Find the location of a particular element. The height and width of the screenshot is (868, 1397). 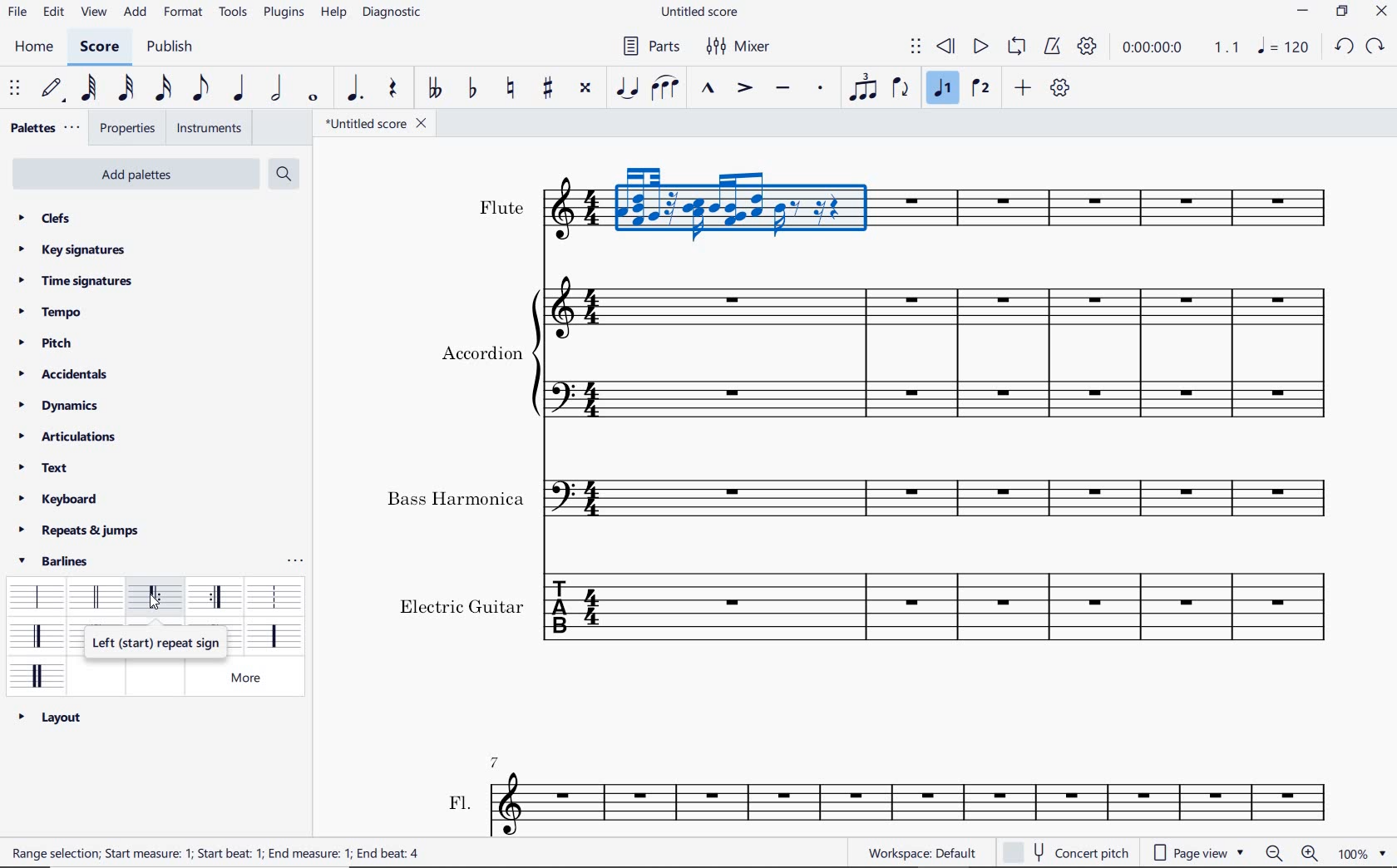

select to move is located at coordinates (15, 89).